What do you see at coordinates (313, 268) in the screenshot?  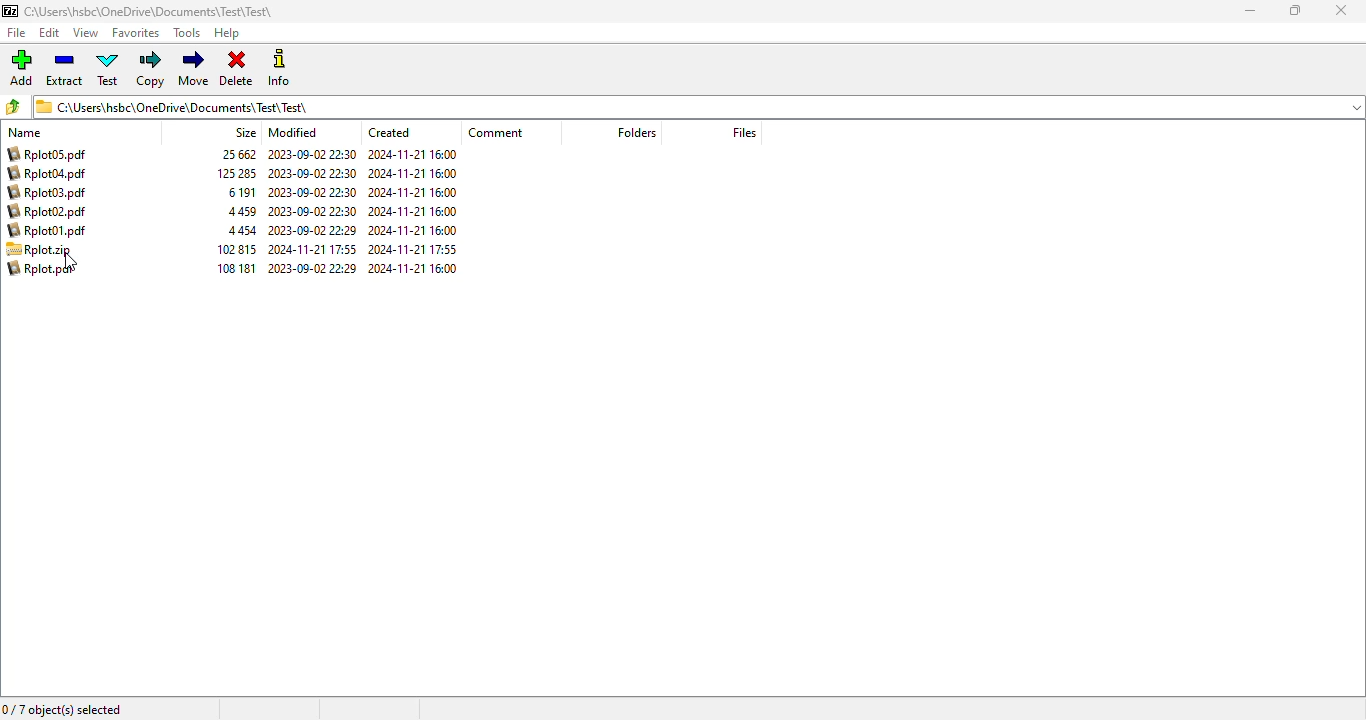 I see `2023-09-02 22:29` at bounding box center [313, 268].